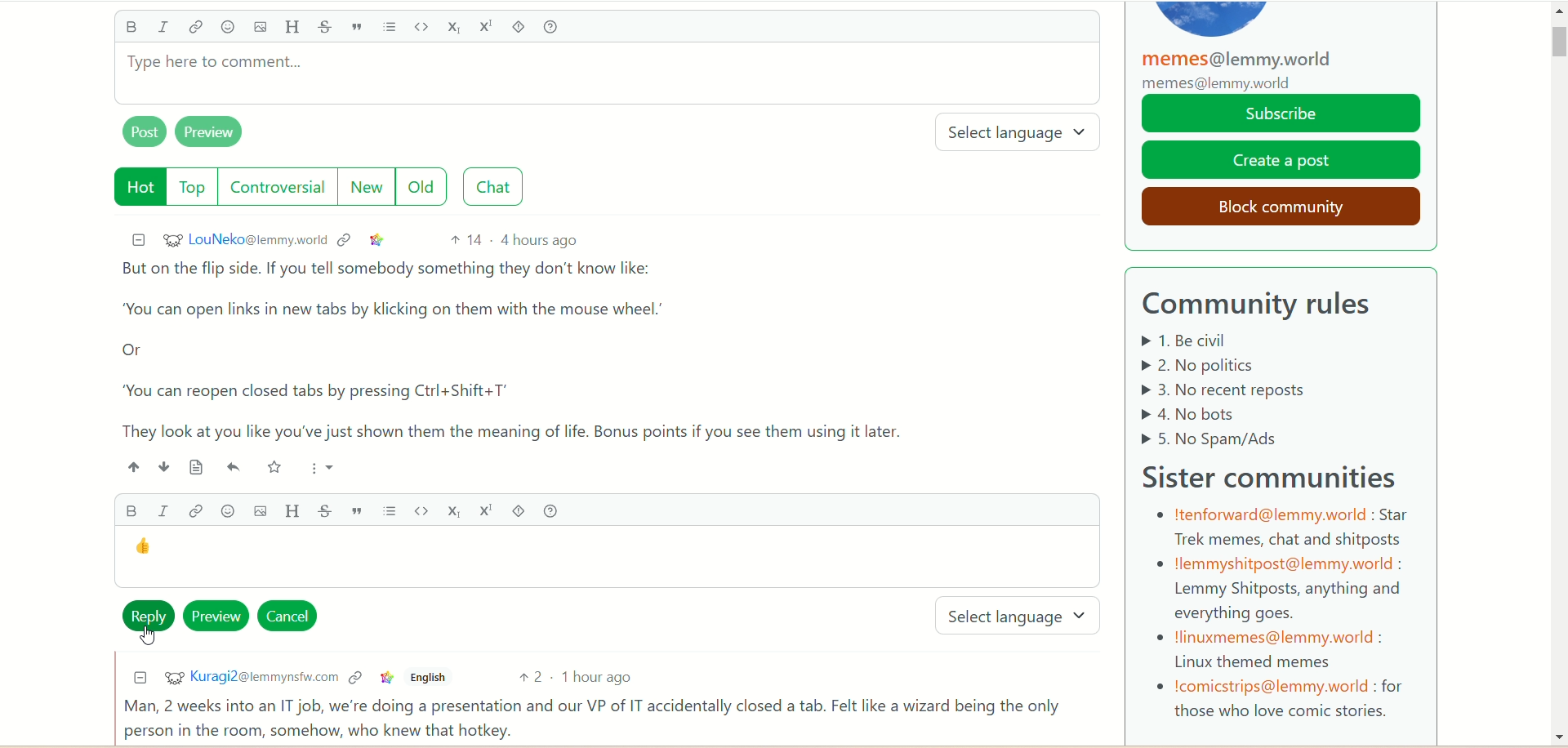 This screenshot has width=1568, height=748. Describe the element at coordinates (369, 187) in the screenshot. I see `new` at that location.